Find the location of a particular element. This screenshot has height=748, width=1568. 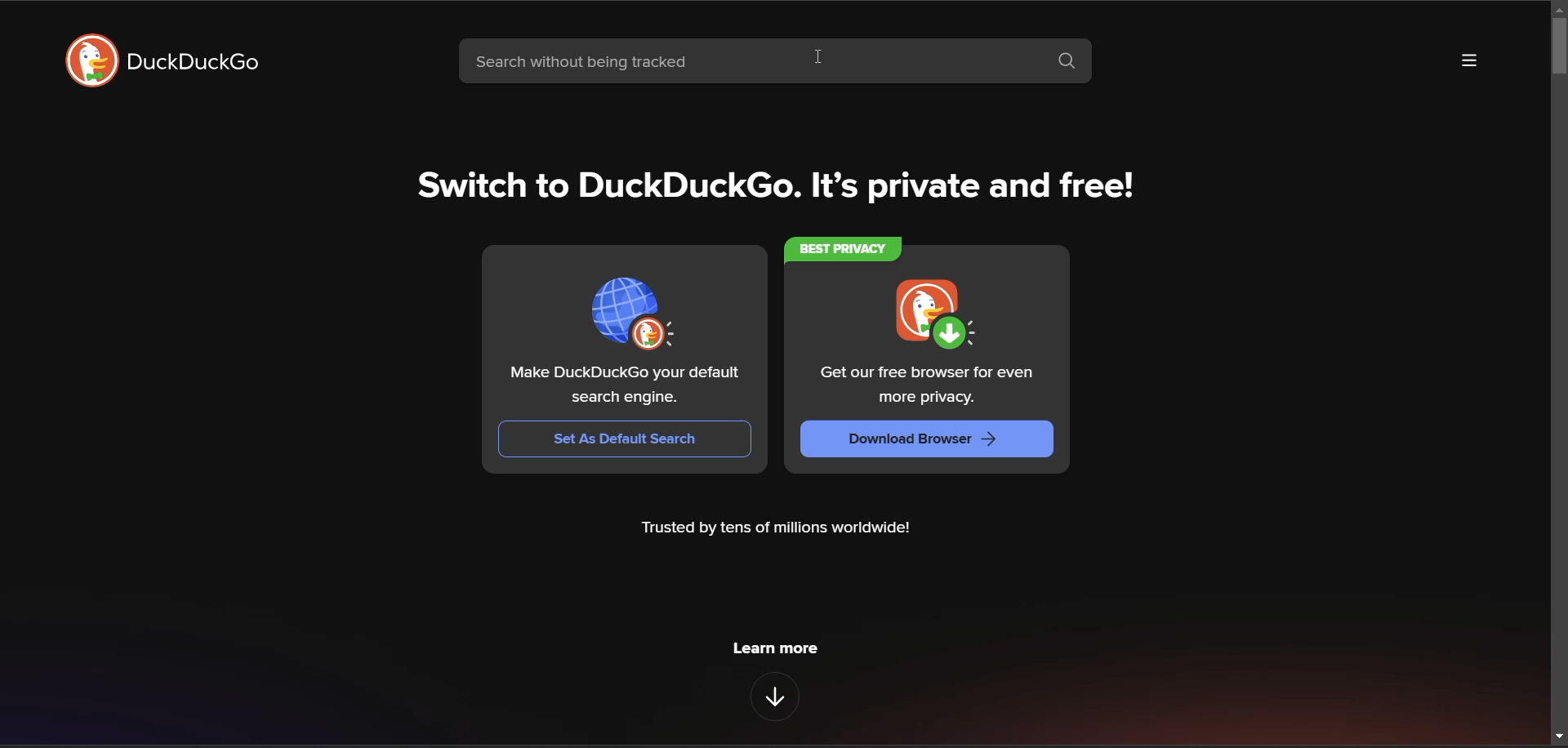

Download Browser > is located at coordinates (927, 439).